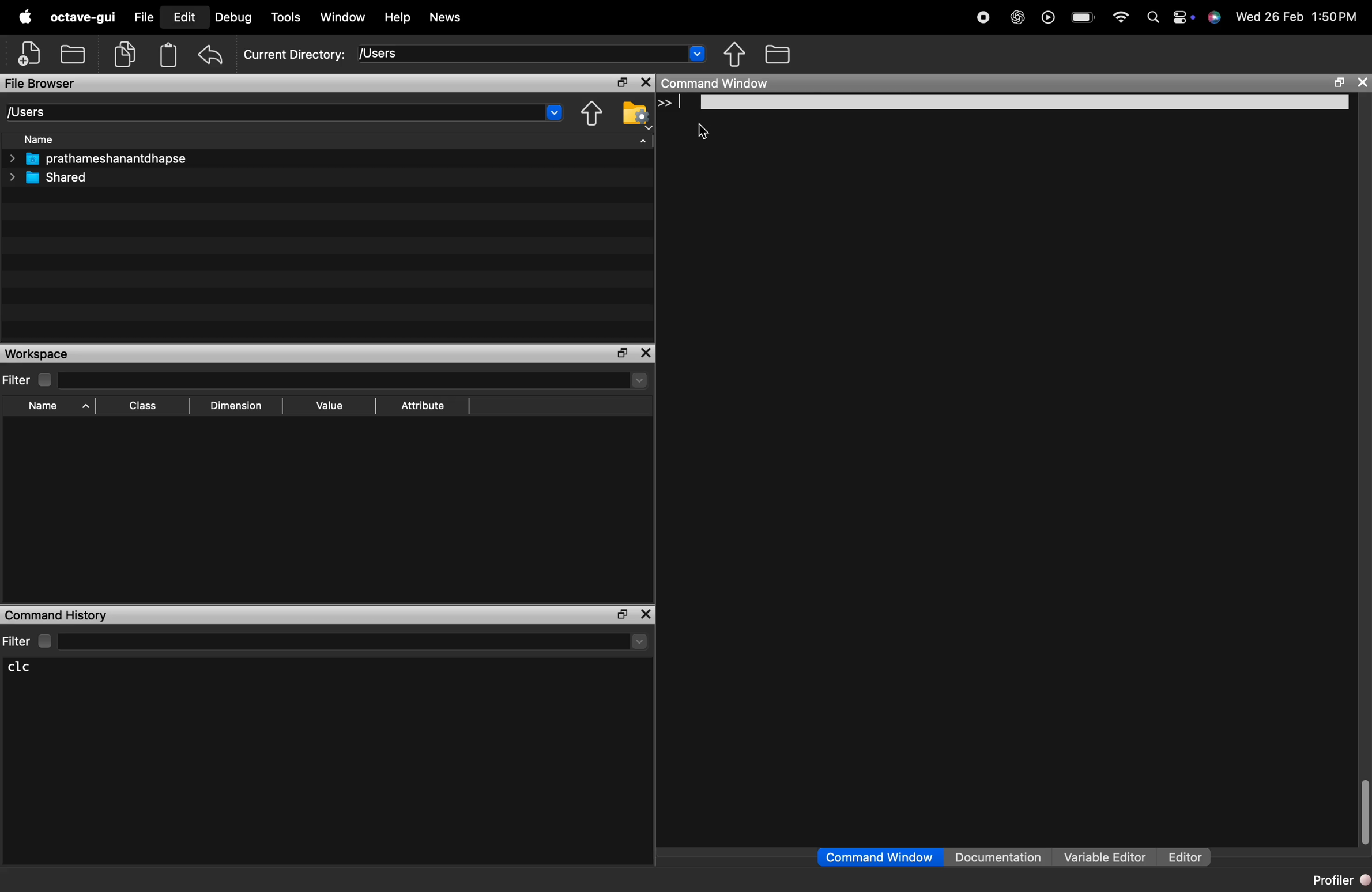 This screenshot has height=892, width=1372. I want to click on Maximize, so click(1336, 84).